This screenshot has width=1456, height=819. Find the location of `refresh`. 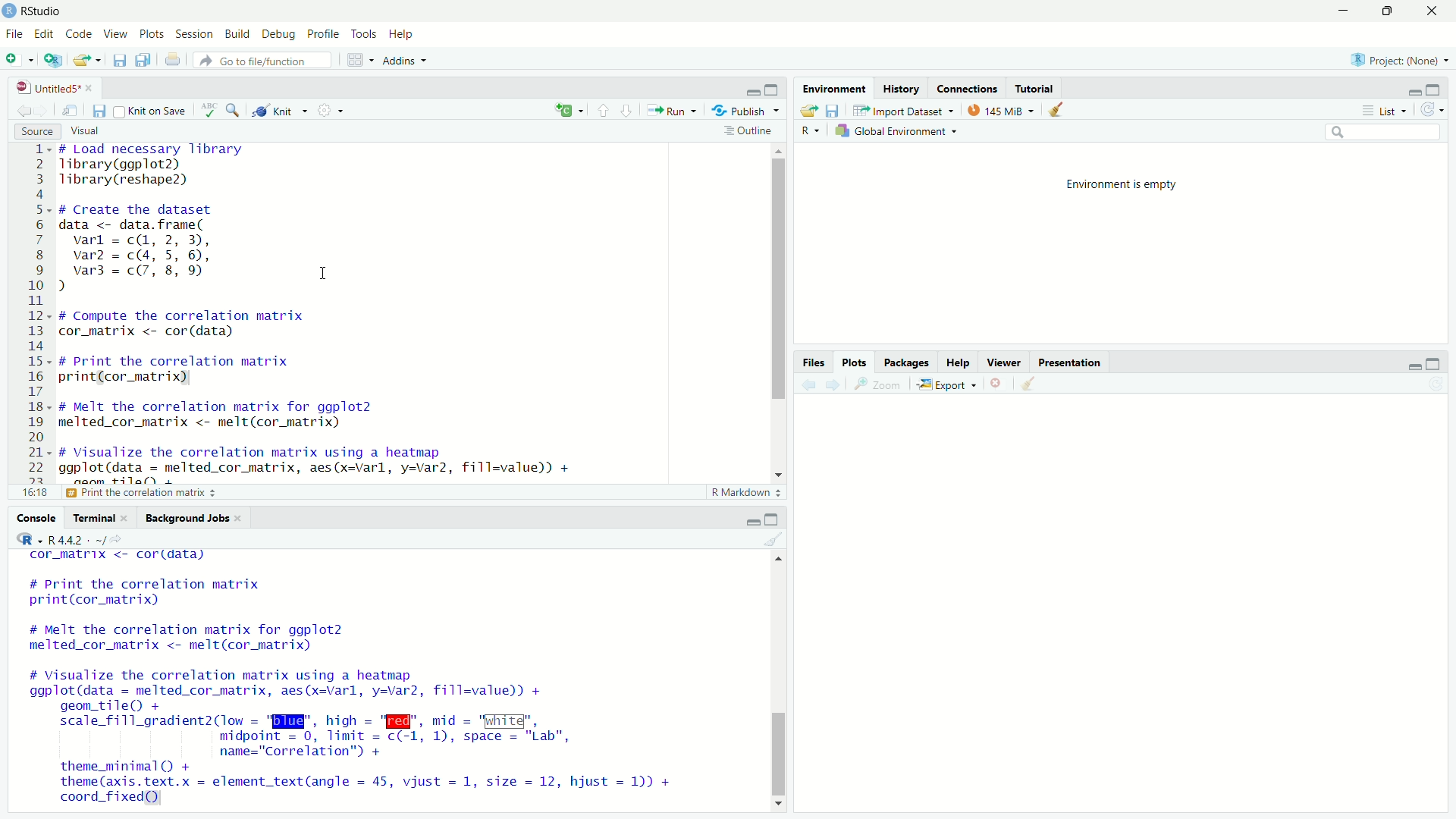

refresh is located at coordinates (1433, 111).